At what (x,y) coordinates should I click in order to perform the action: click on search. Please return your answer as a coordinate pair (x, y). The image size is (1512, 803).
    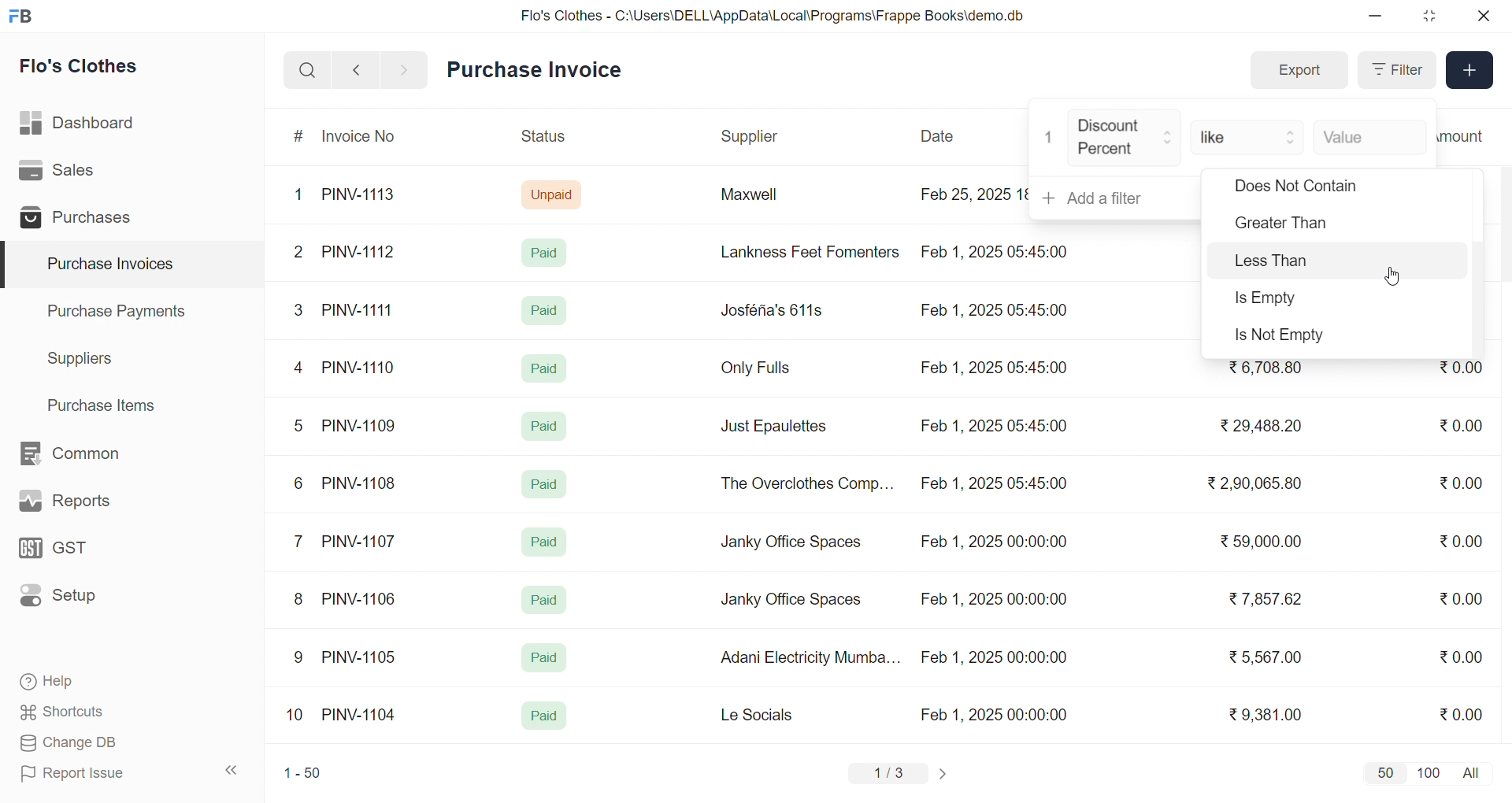
    Looking at the image, I should click on (307, 70).